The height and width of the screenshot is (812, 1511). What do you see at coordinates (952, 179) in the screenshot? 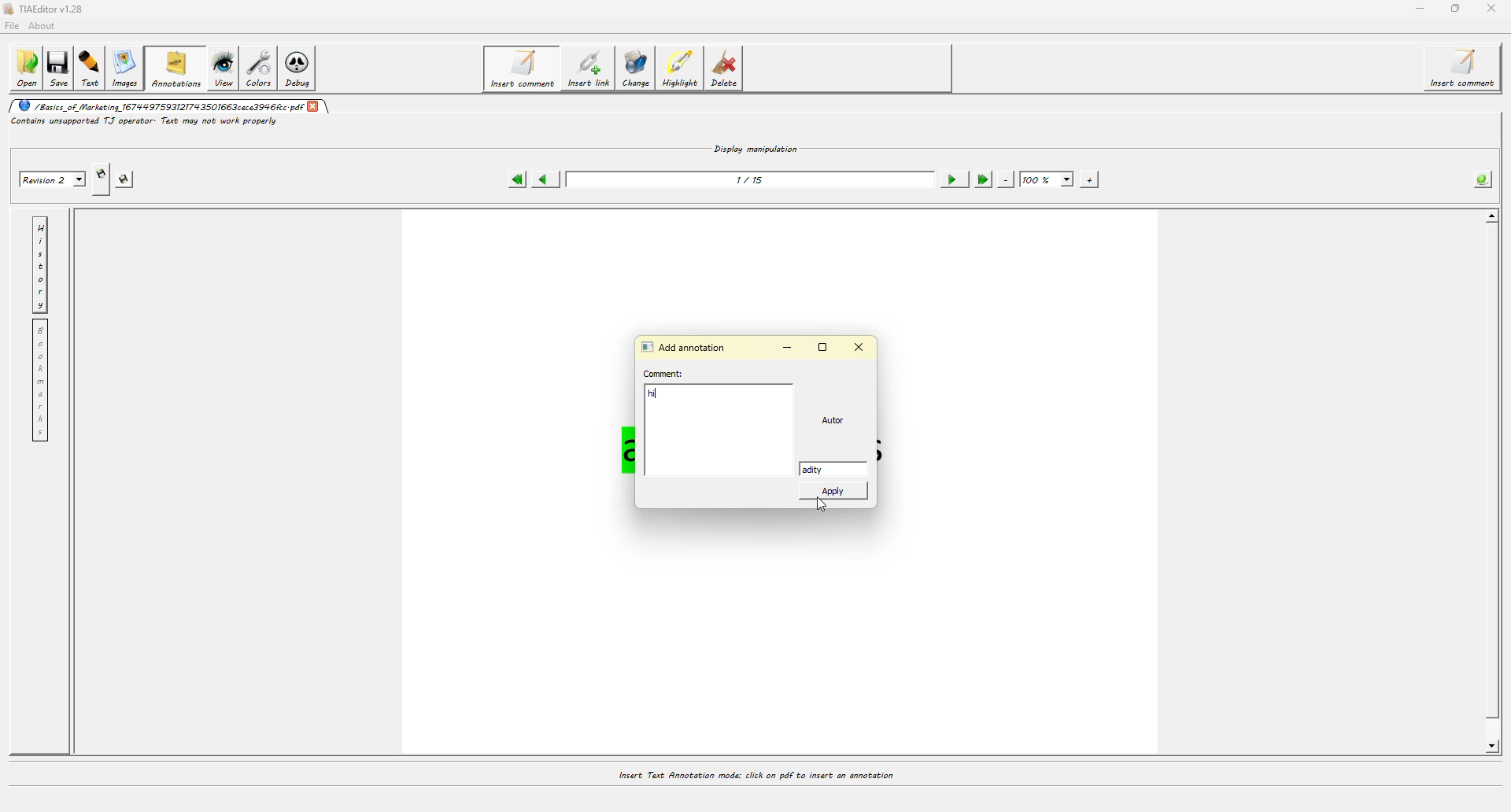
I see `next page` at bounding box center [952, 179].